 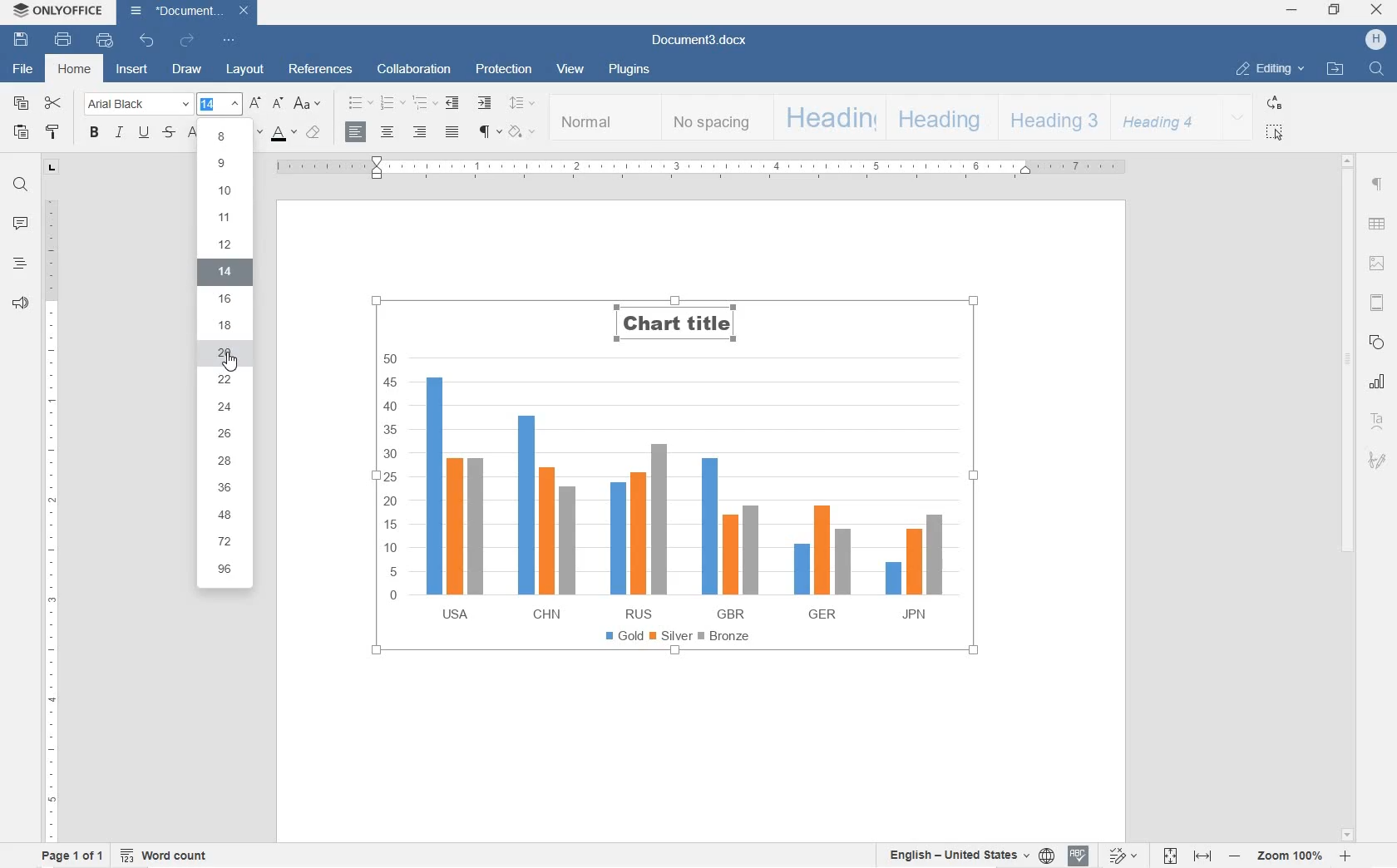 I want to click on FILE, so click(x=24, y=70).